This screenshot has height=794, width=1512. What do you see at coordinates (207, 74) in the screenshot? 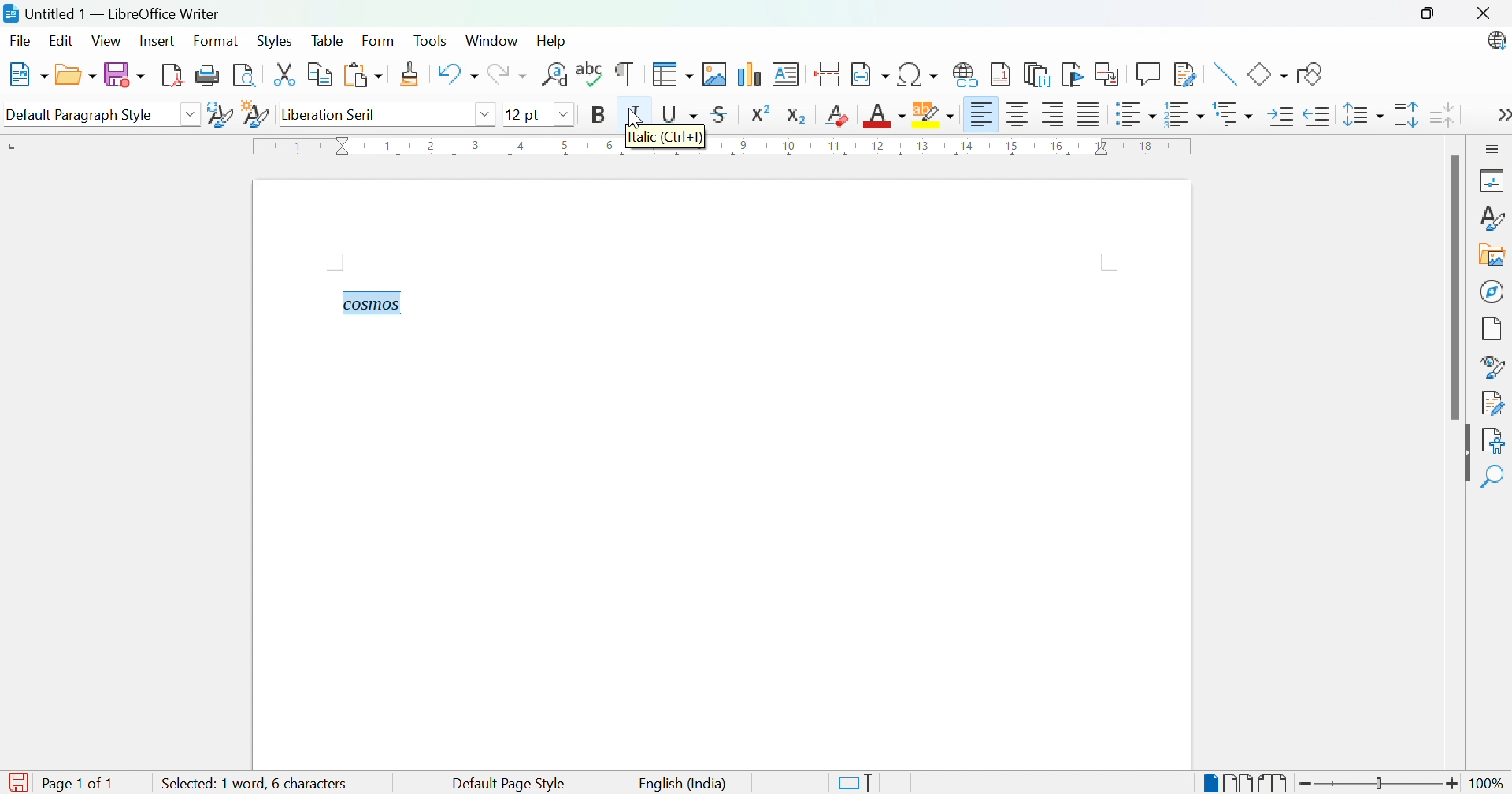
I see `Print` at bounding box center [207, 74].